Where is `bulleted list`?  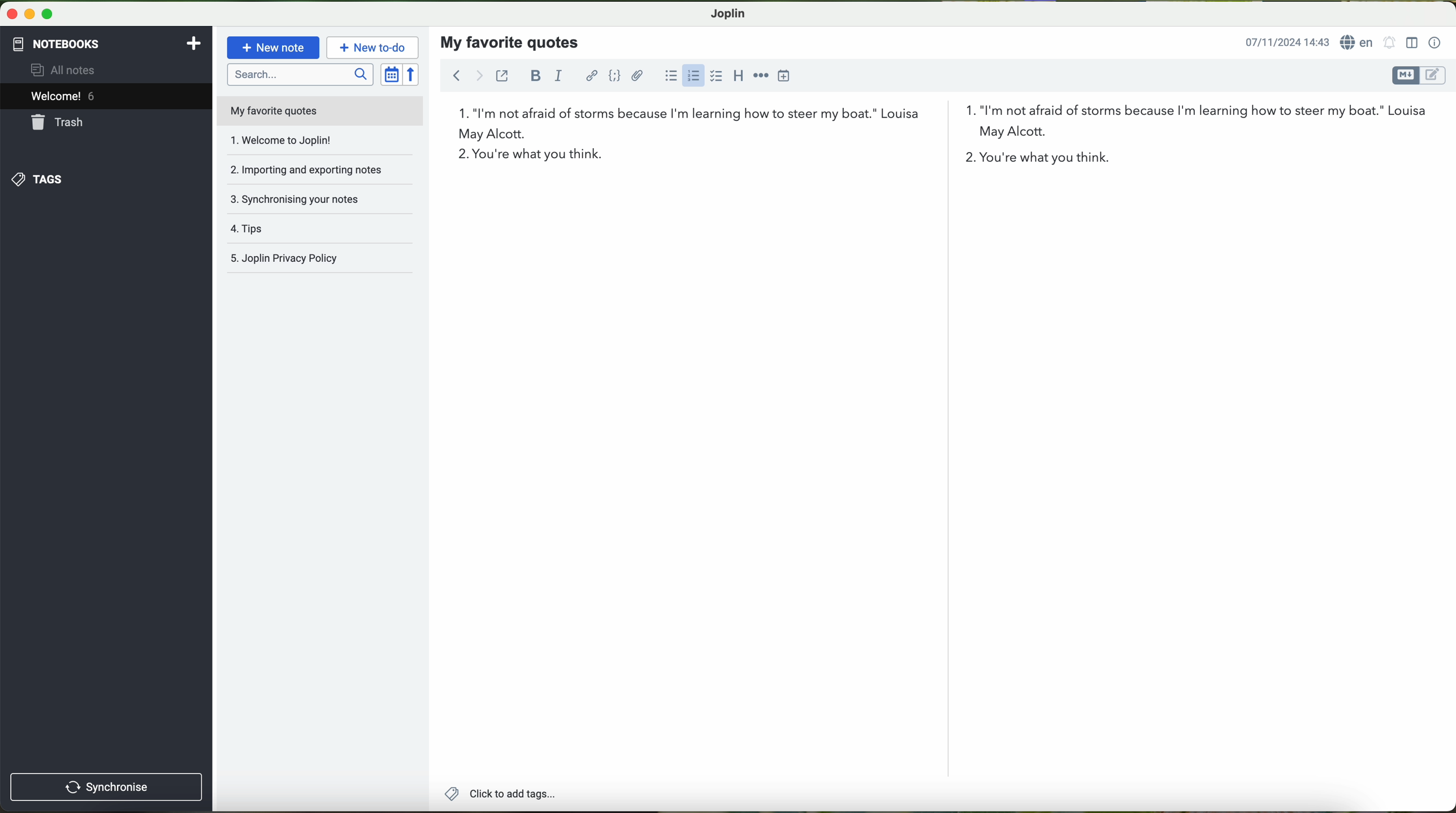
bulleted list is located at coordinates (670, 77).